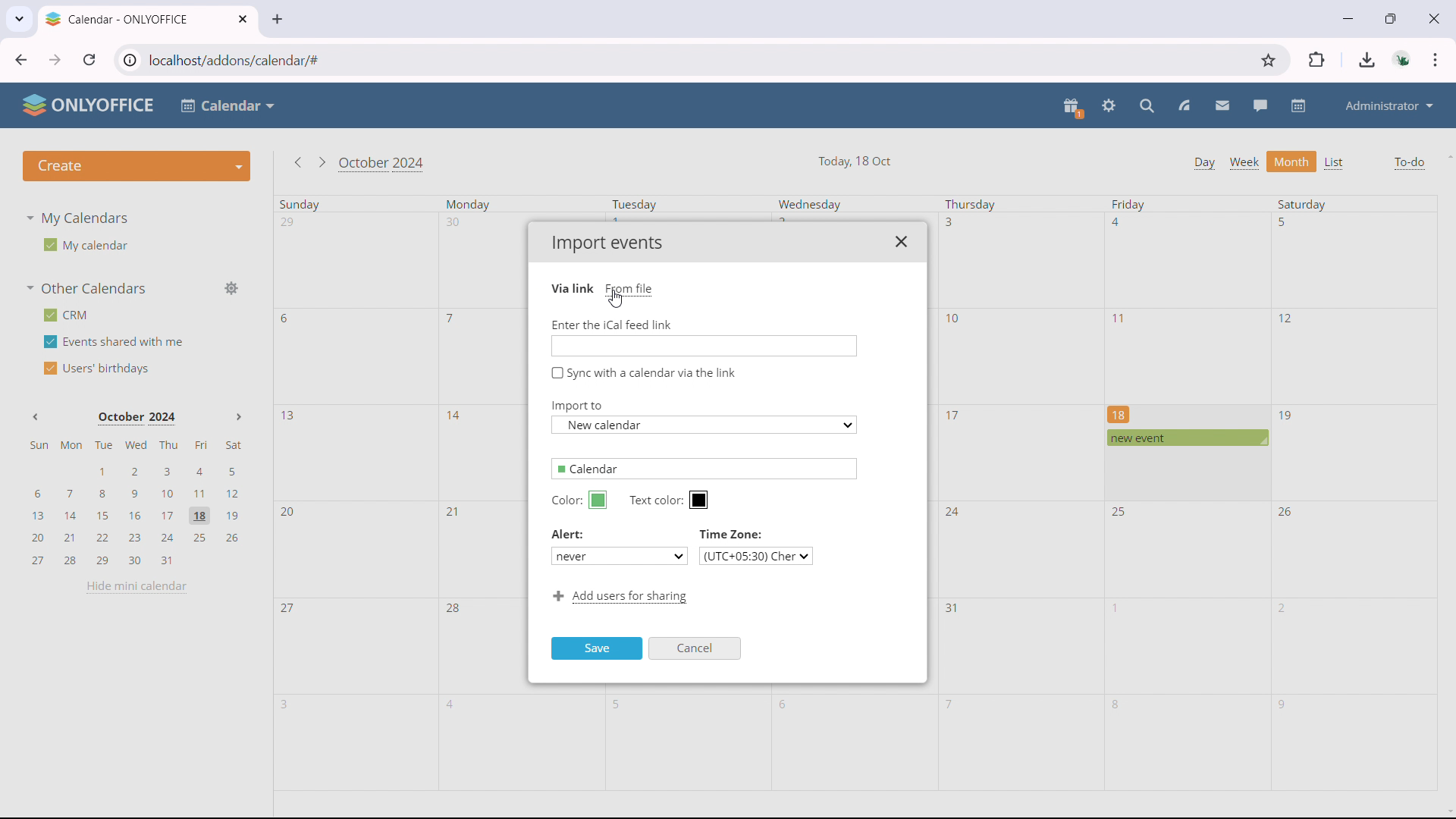 This screenshot has width=1456, height=819. I want to click on Tuesday, so click(636, 205).